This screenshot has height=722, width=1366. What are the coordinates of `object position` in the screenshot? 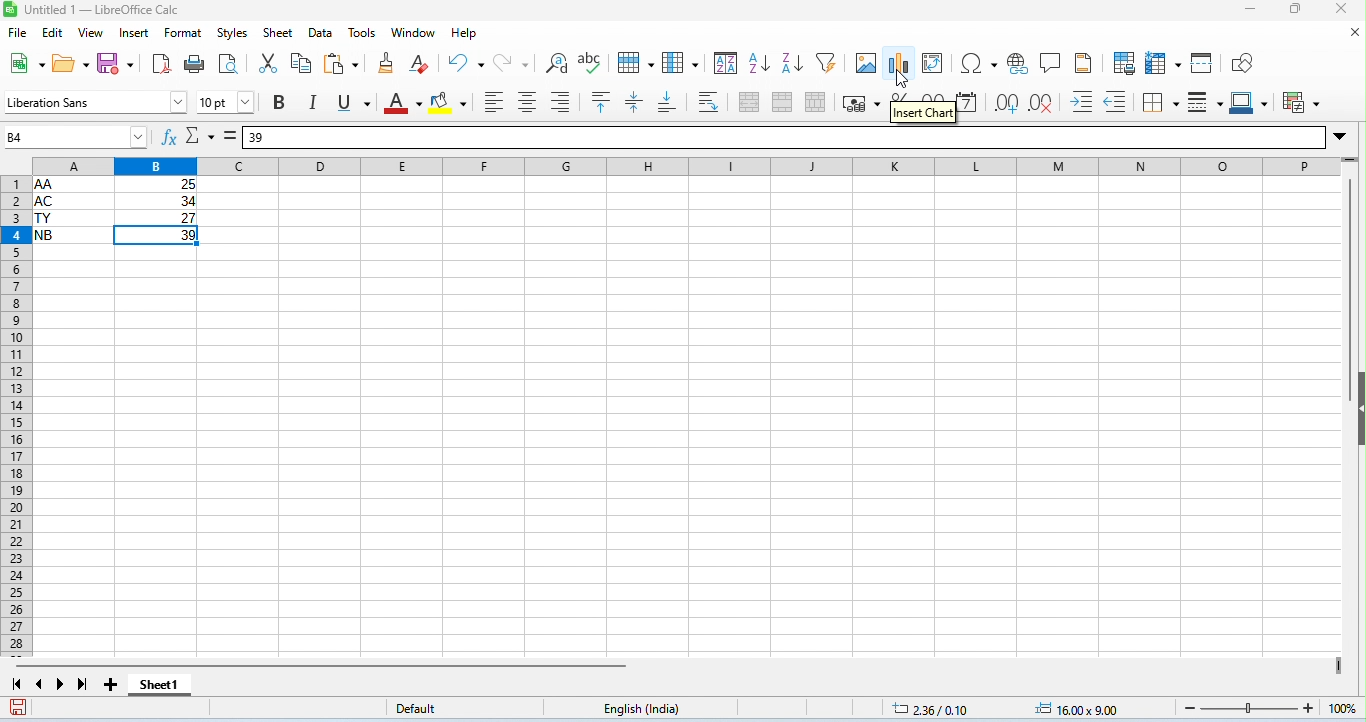 It's located at (1081, 709).